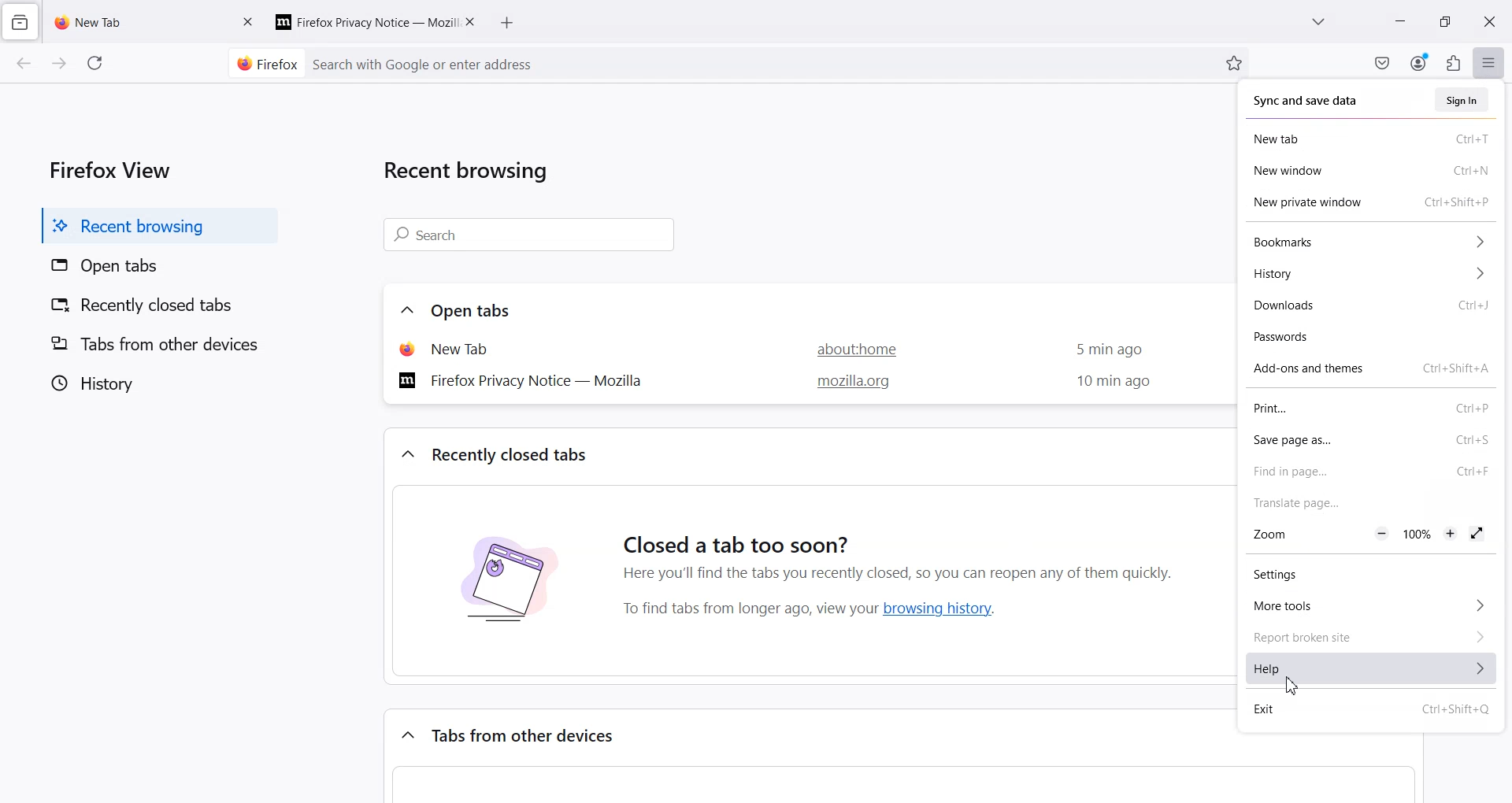 This screenshot has height=803, width=1512. Describe the element at coordinates (154, 307) in the screenshot. I see `Recently closed tabs` at that location.